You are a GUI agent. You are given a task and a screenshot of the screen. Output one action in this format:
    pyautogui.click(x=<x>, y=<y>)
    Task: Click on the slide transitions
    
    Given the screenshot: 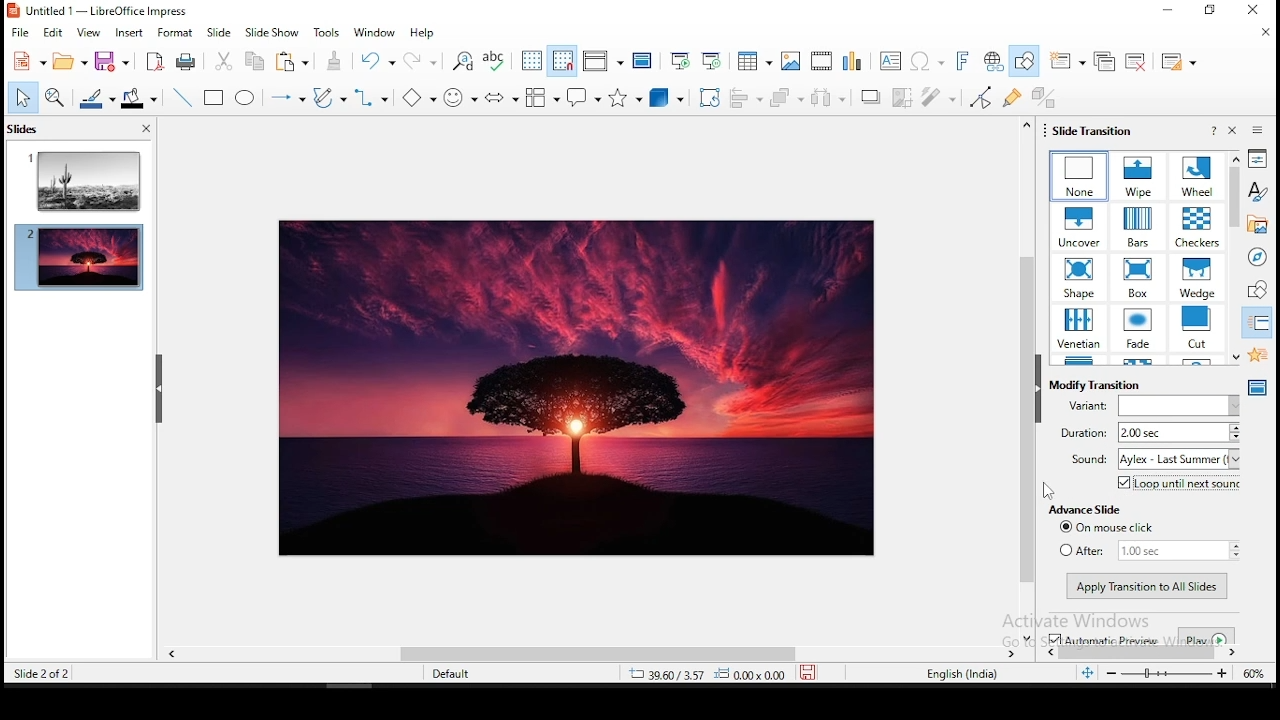 What is the action you would take?
    pyautogui.click(x=1257, y=324)
    